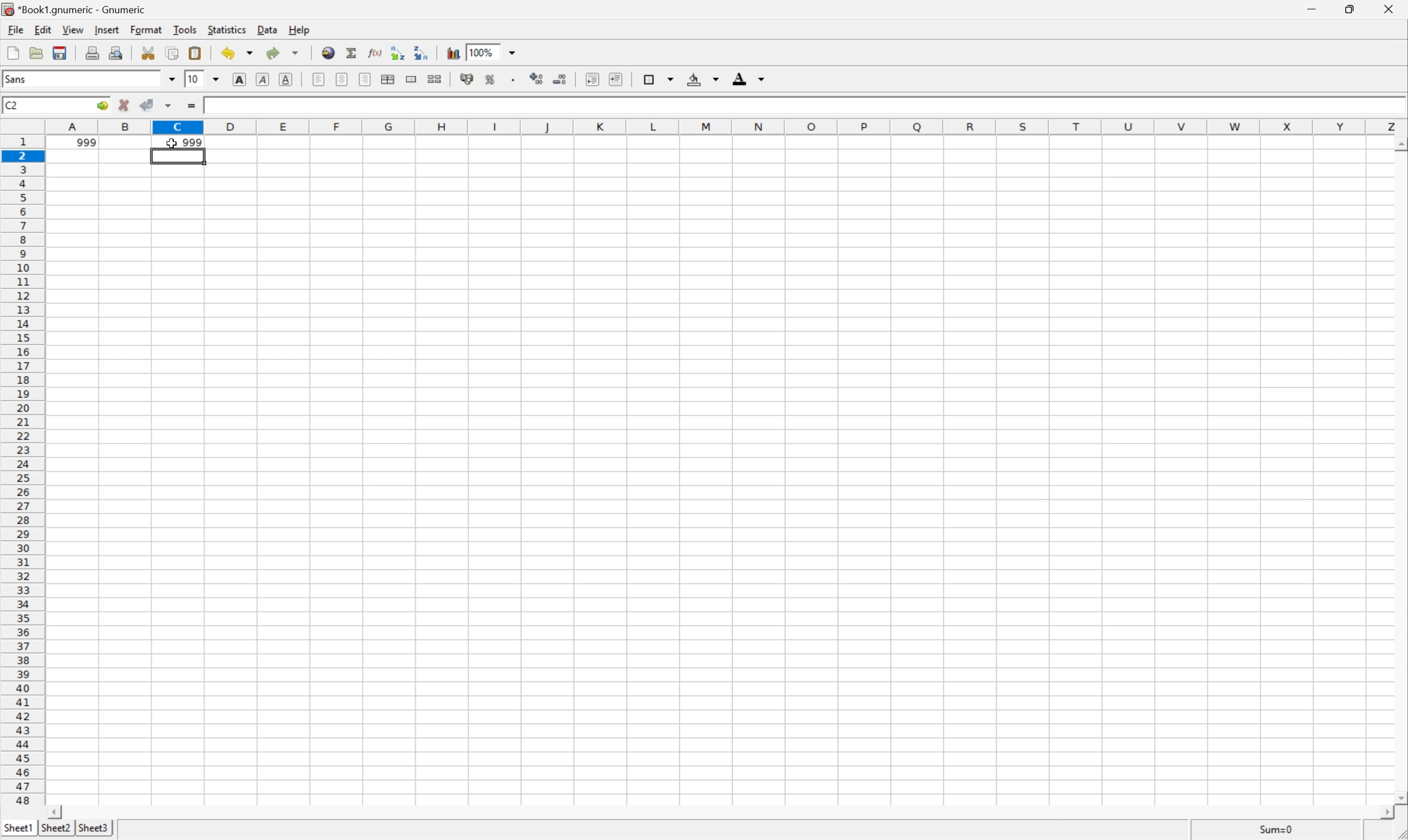 The image size is (1408, 840). What do you see at coordinates (390, 80) in the screenshot?
I see `center horizontally across selection` at bounding box center [390, 80].